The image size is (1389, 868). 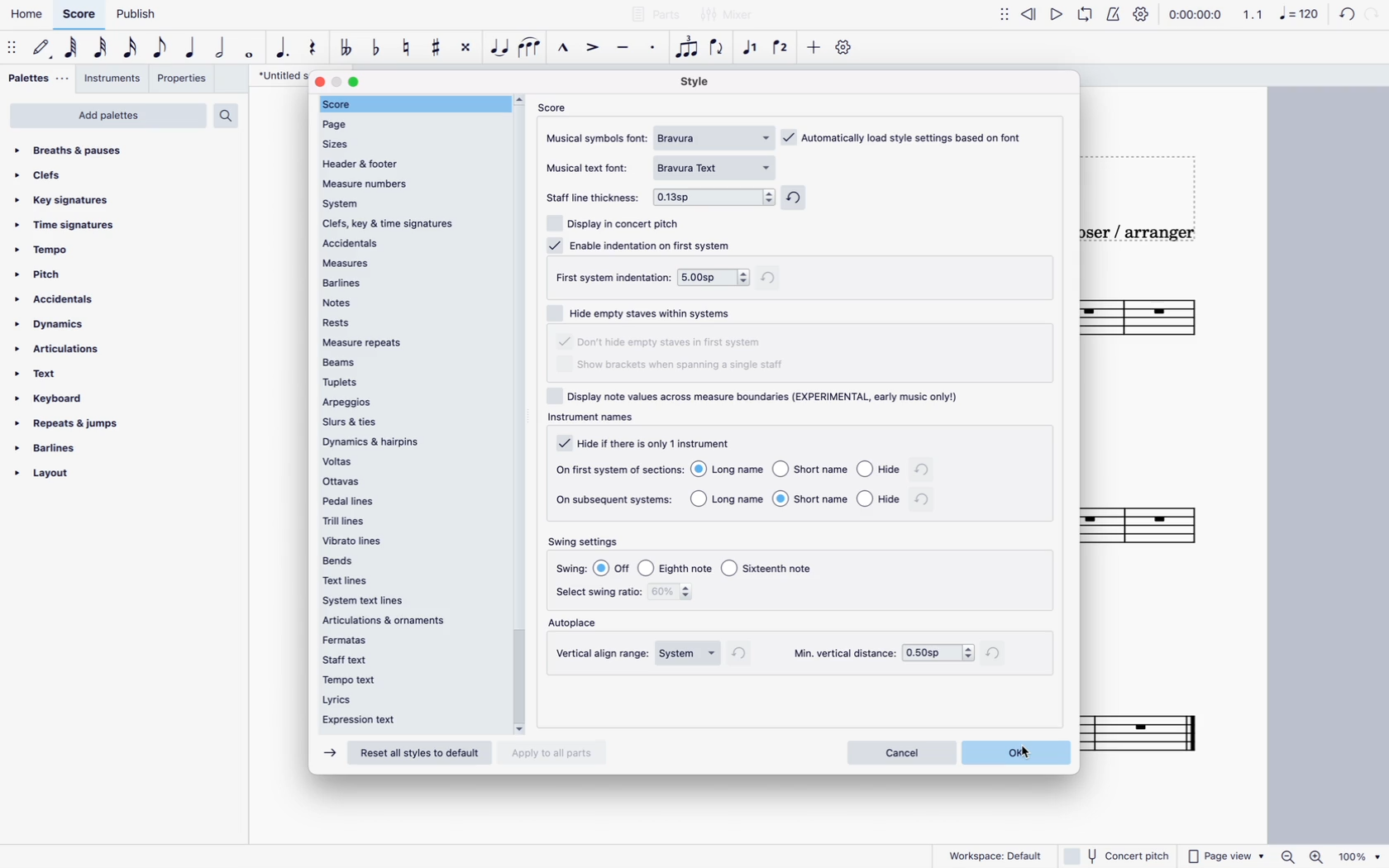 What do you see at coordinates (909, 136) in the screenshot?
I see `load style based on font` at bounding box center [909, 136].